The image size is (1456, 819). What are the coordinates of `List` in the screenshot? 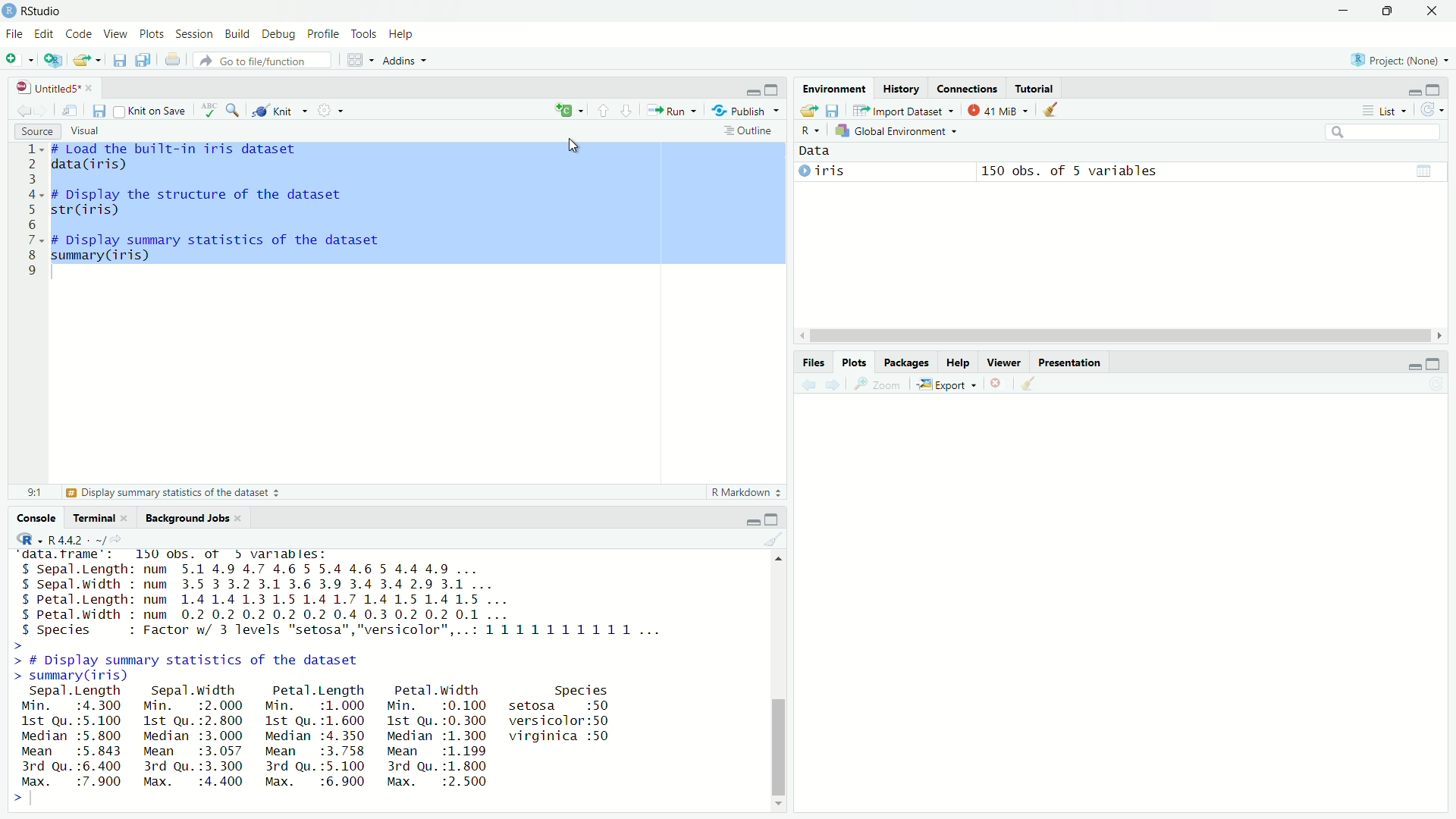 It's located at (1382, 109).